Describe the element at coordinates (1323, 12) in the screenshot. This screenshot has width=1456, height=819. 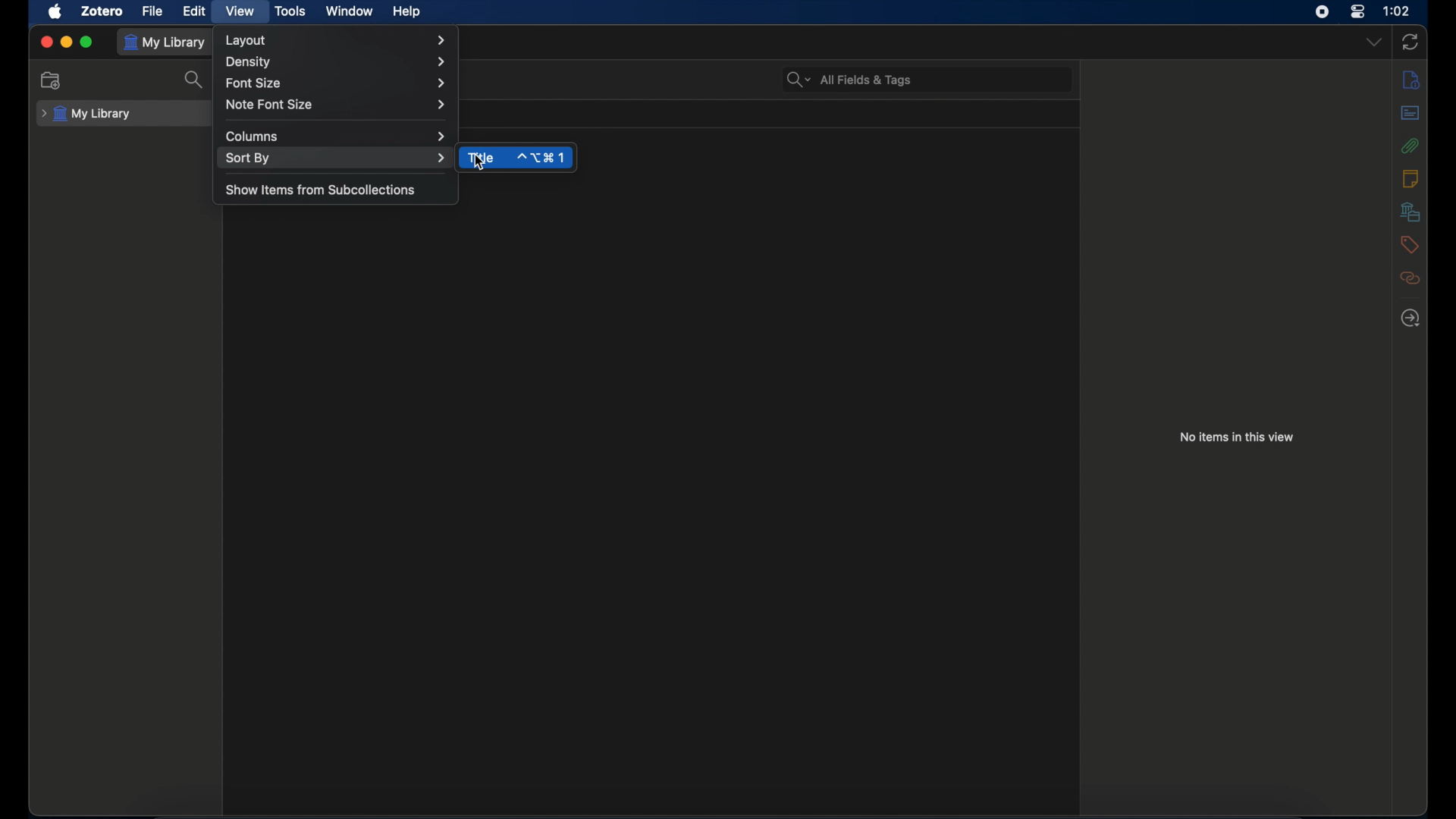
I see `screen recorder` at that location.